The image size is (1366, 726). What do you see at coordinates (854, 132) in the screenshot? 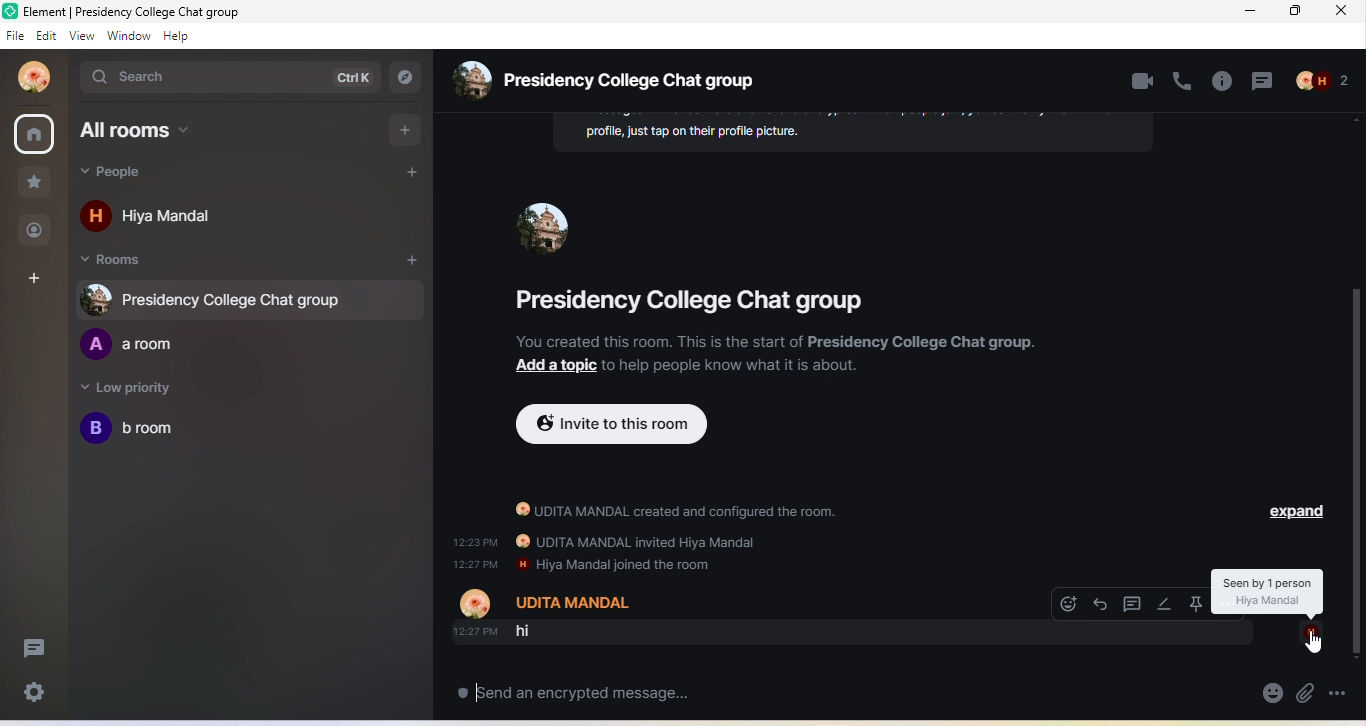
I see `text` at bounding box center [854, 132].